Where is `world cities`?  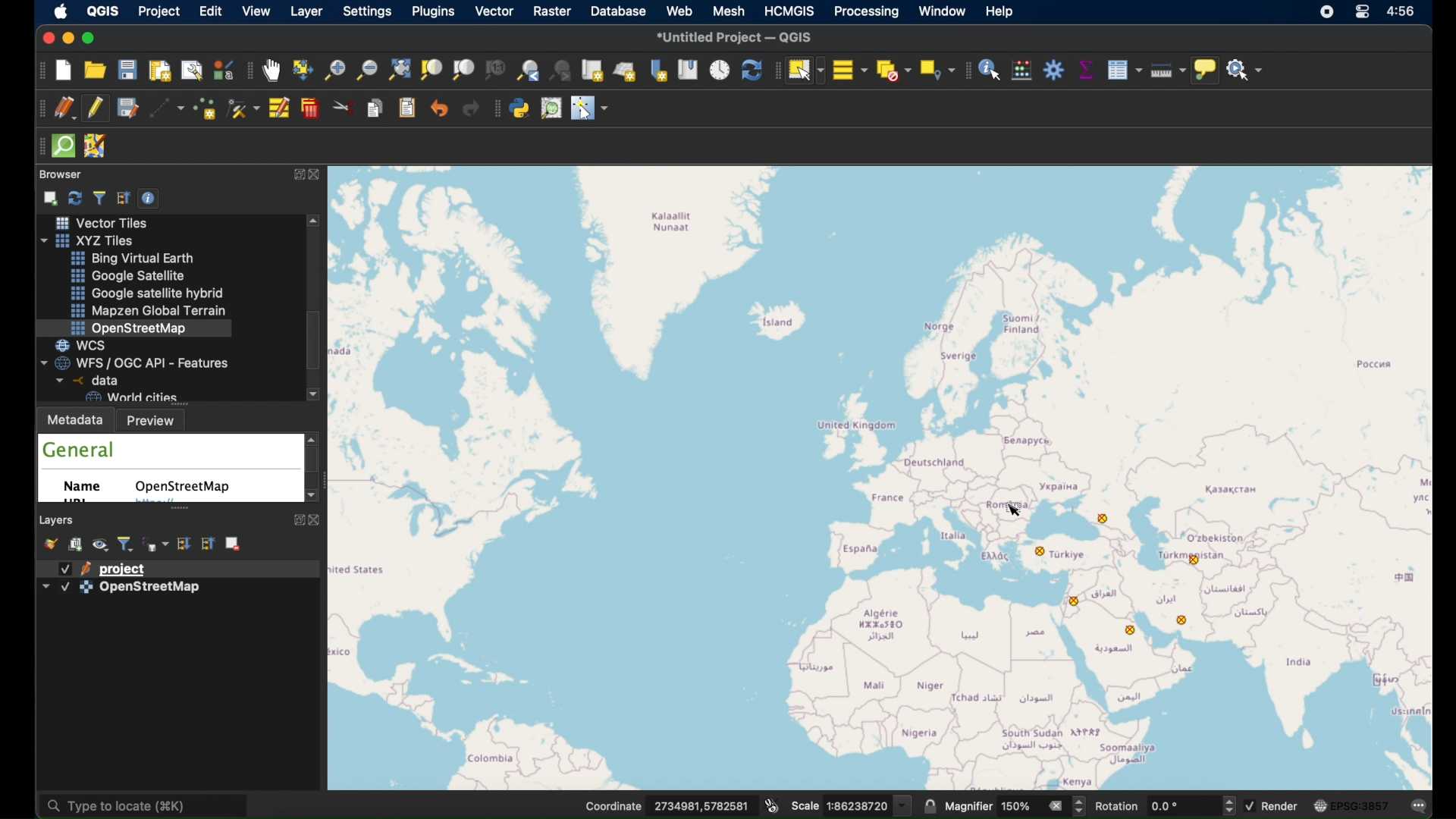 world cities is located at coordinates (130, 397).